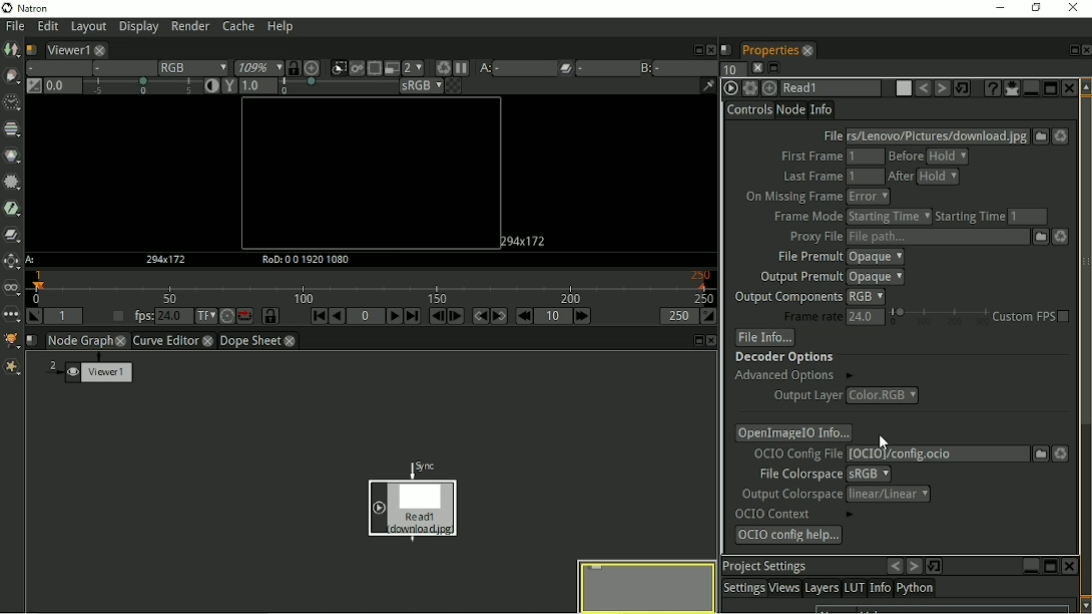  Describe the element at coordinates (831, 87) in the screenshot. I see `Read 1` at that location.